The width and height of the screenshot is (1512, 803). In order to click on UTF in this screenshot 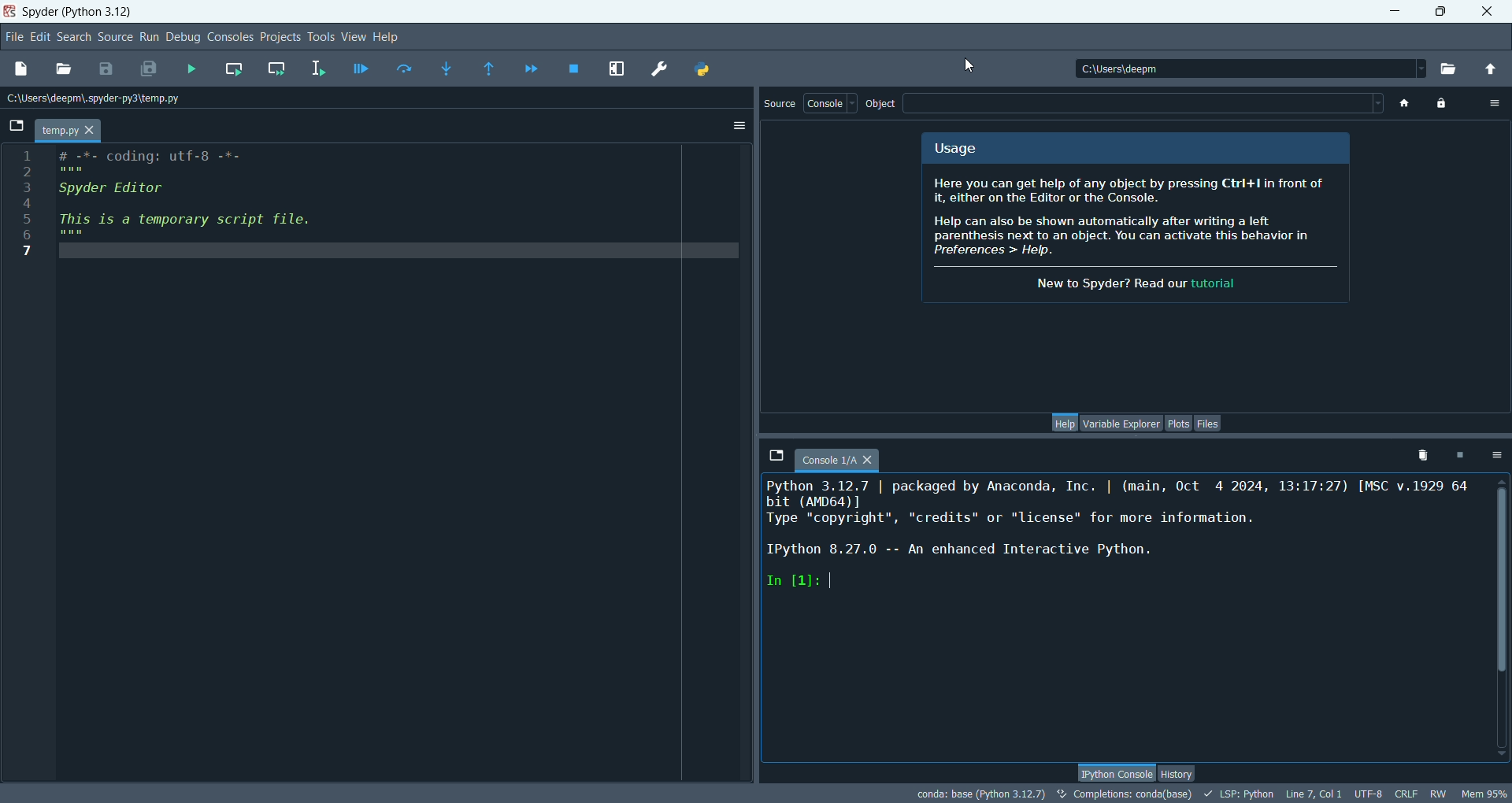, I will do `click(1369, 794)`.